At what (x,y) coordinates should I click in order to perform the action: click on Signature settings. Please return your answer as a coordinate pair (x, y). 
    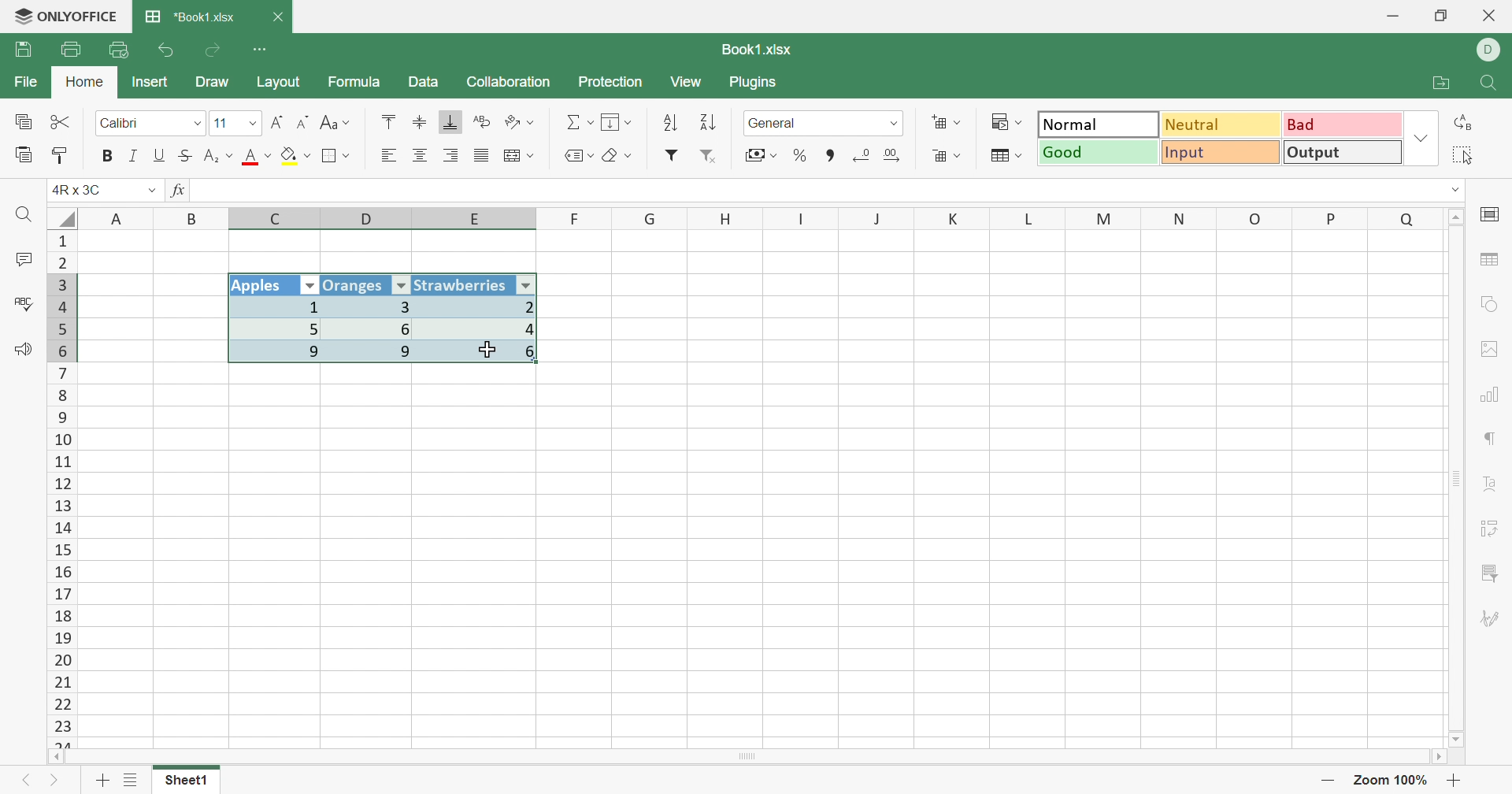
    Looking at the image, I should click on (1490, 619).